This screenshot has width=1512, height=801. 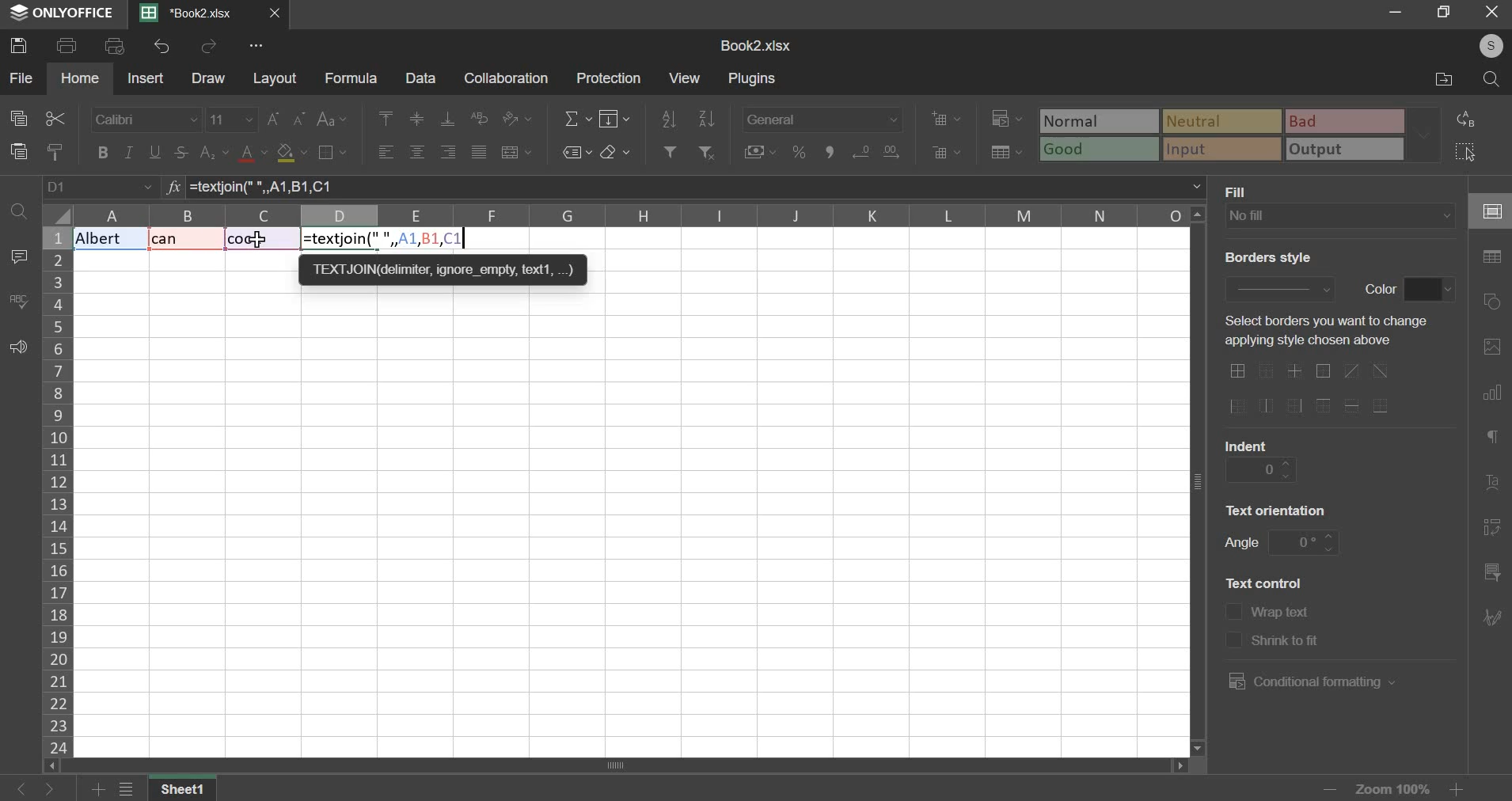 What do you see at coordinates (21, 77) in the screenshot?
I see `file` at bounding box center [21, 77].